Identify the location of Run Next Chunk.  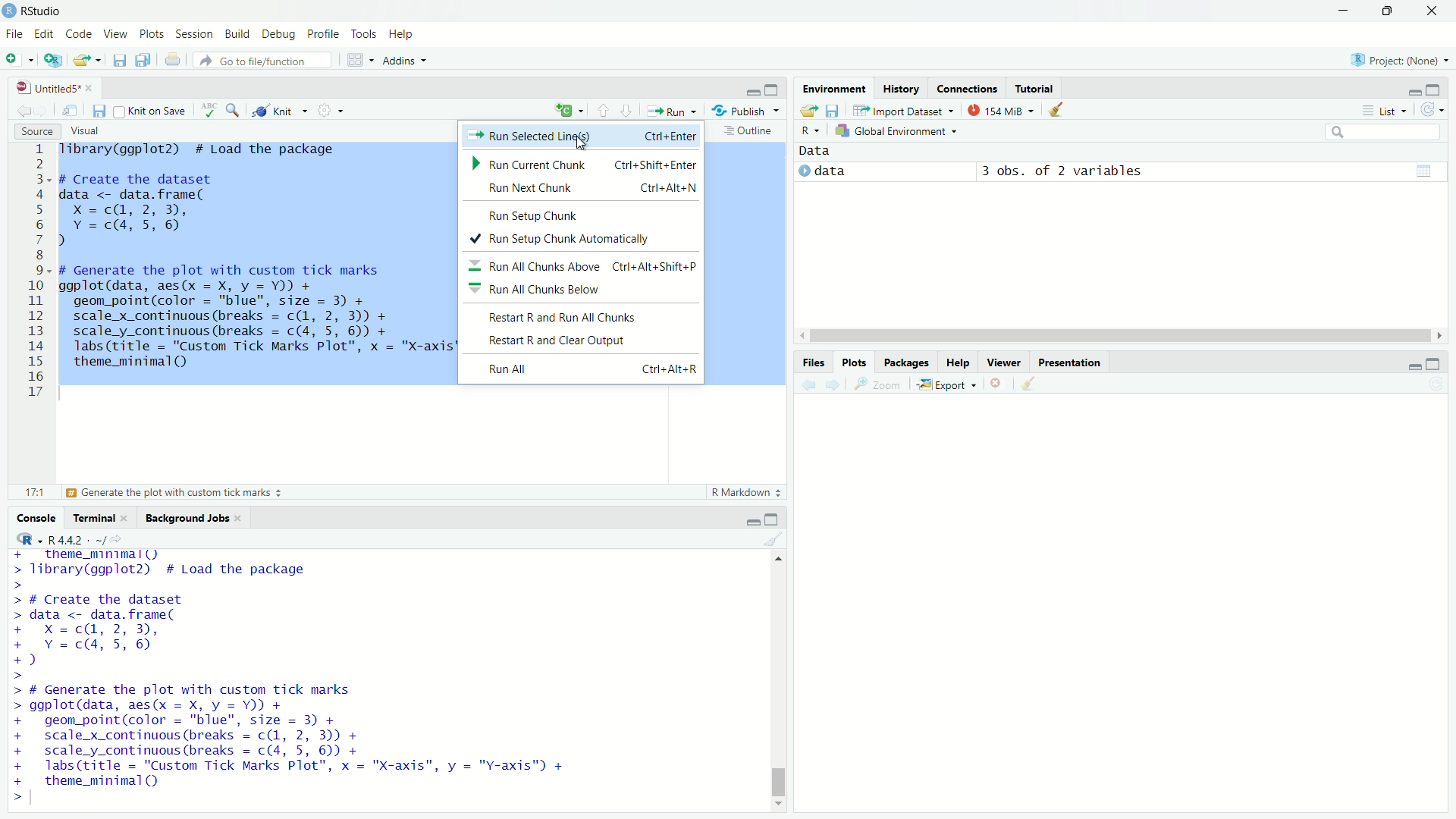
(587, 190).